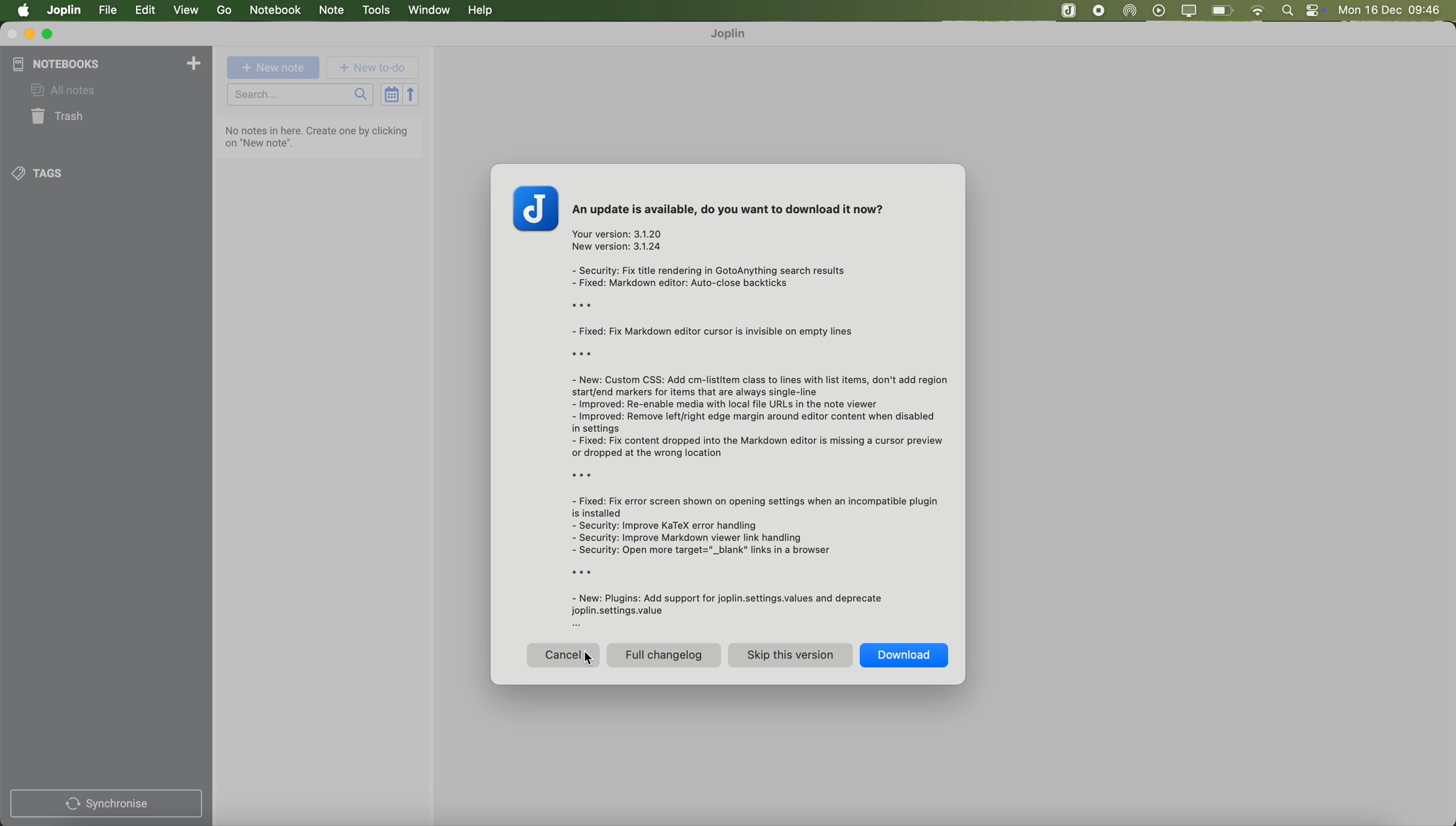 This screenshot has width=1456, height=826. I want to click on Cursor, so click(588, 659).